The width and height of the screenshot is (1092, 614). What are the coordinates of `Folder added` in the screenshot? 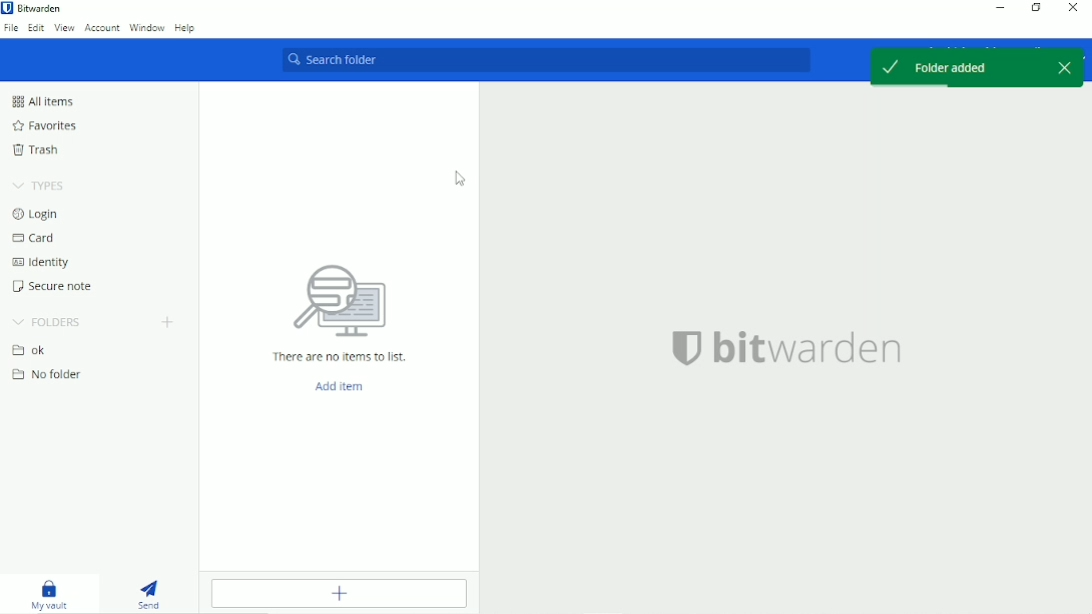 It's located at (958, 65).